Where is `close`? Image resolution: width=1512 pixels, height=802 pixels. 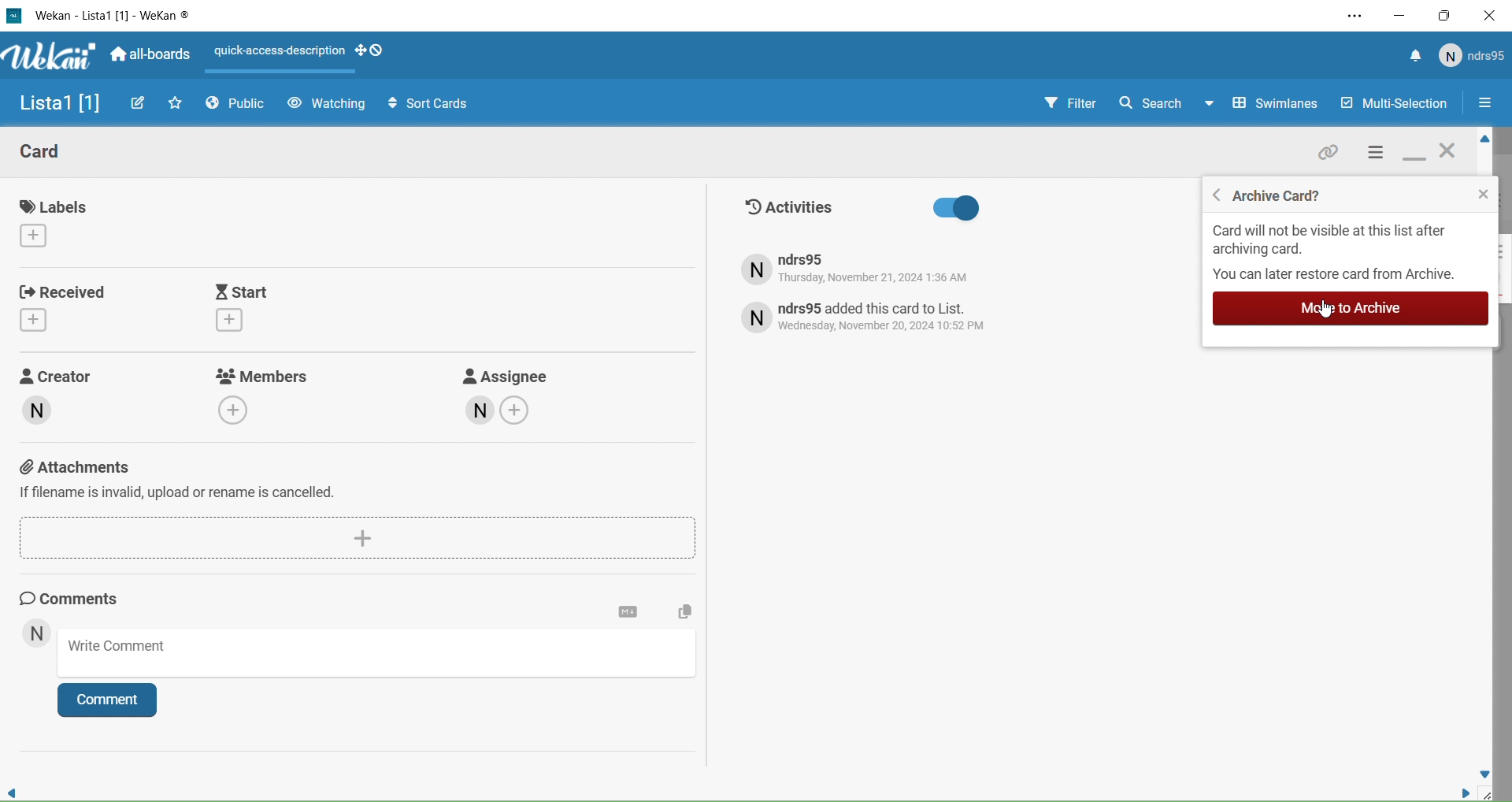 close is located at coordinates (1483, 195).